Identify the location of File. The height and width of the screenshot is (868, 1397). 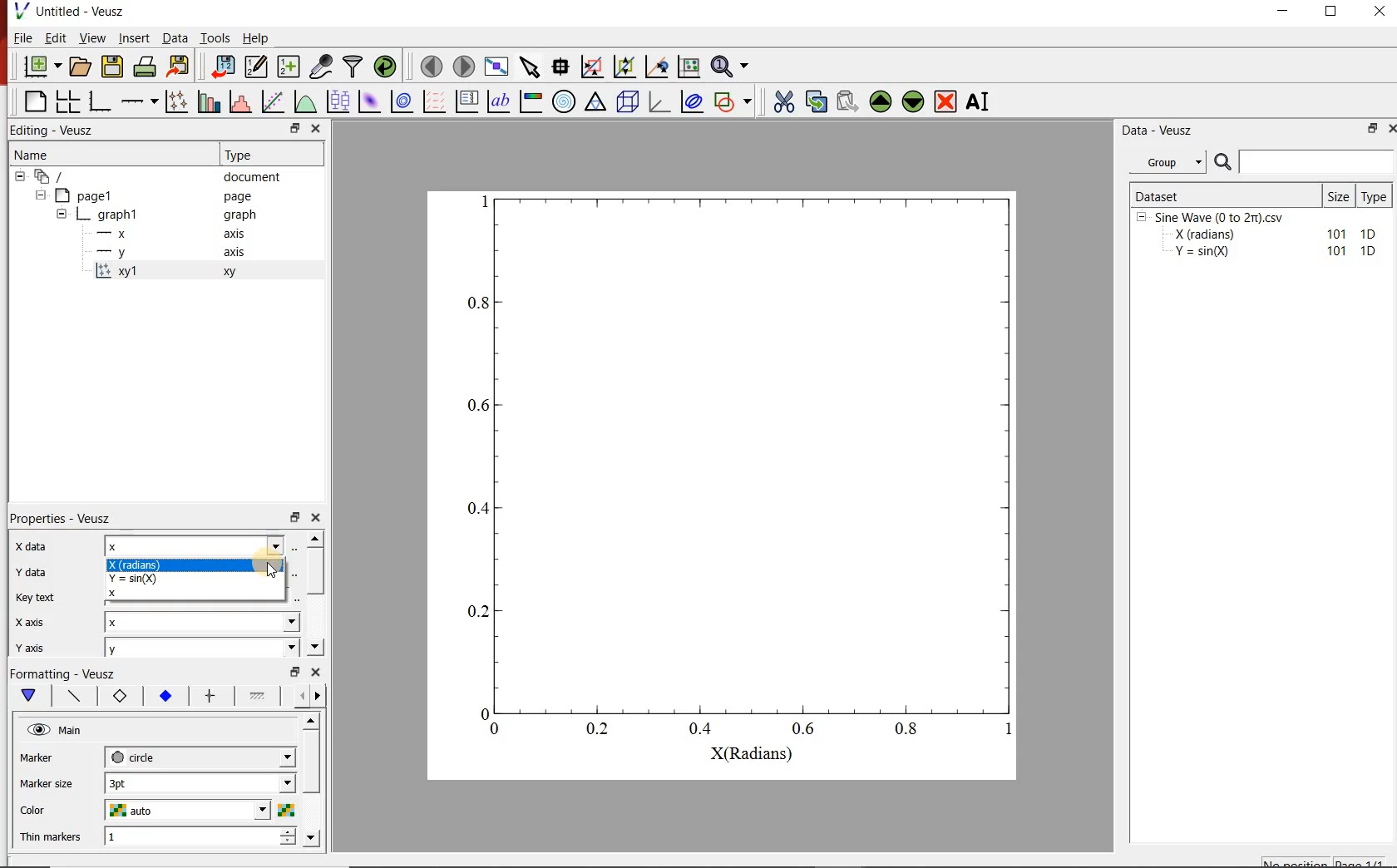
(23, 37).